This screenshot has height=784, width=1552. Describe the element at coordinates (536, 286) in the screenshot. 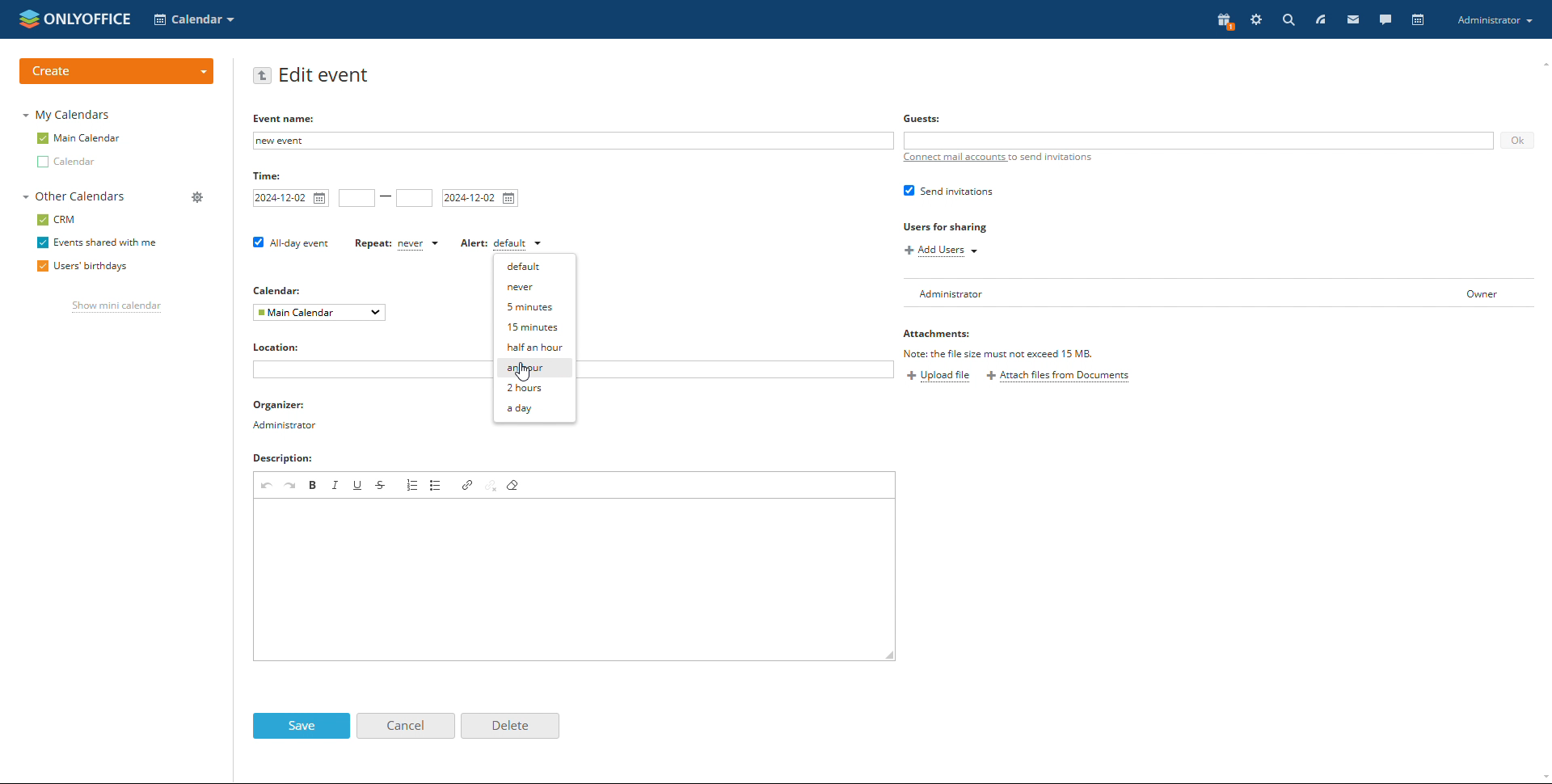

I see `never` at that location.